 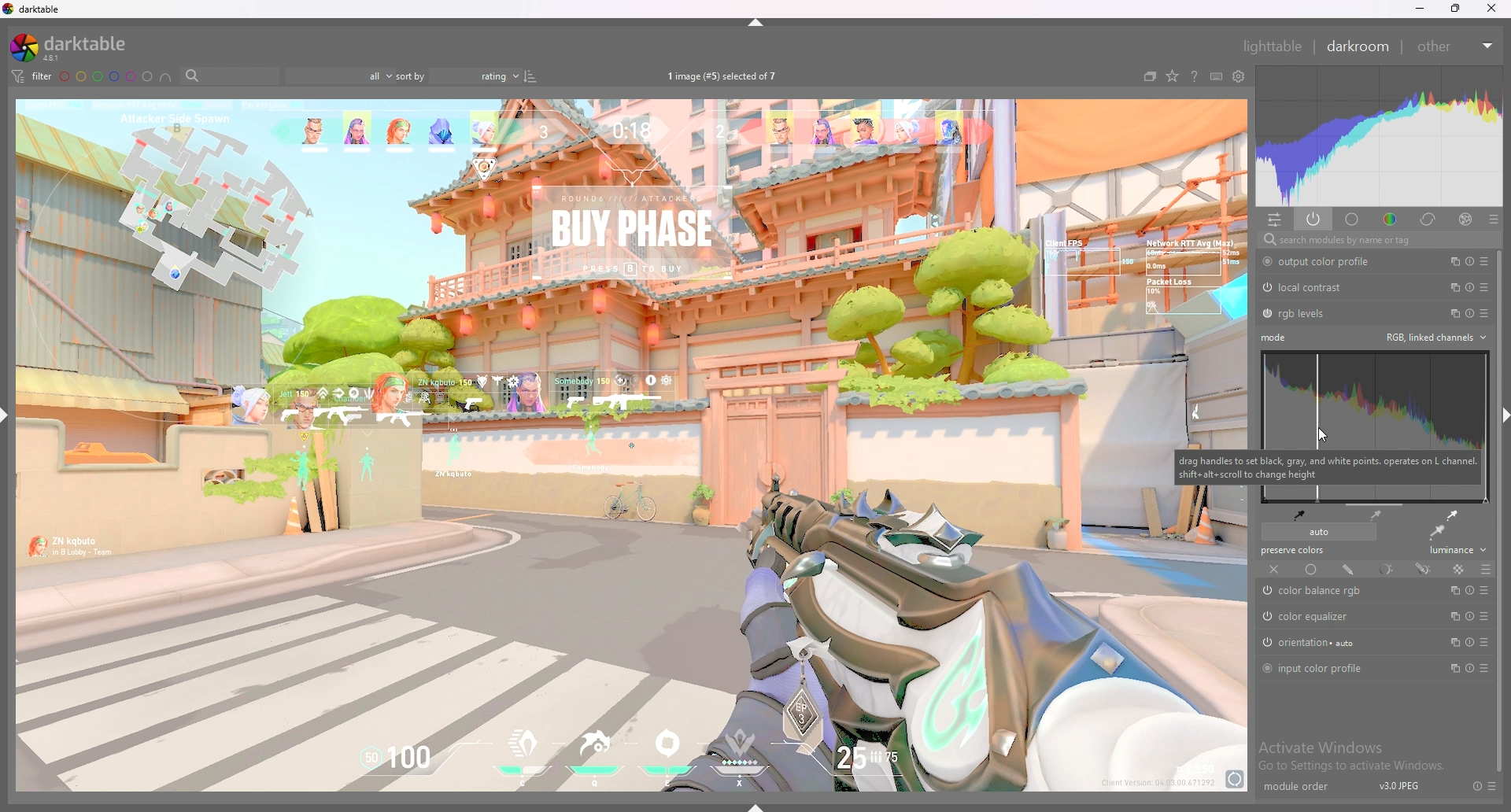 I want to click on close, so click(x=1492, y=9).